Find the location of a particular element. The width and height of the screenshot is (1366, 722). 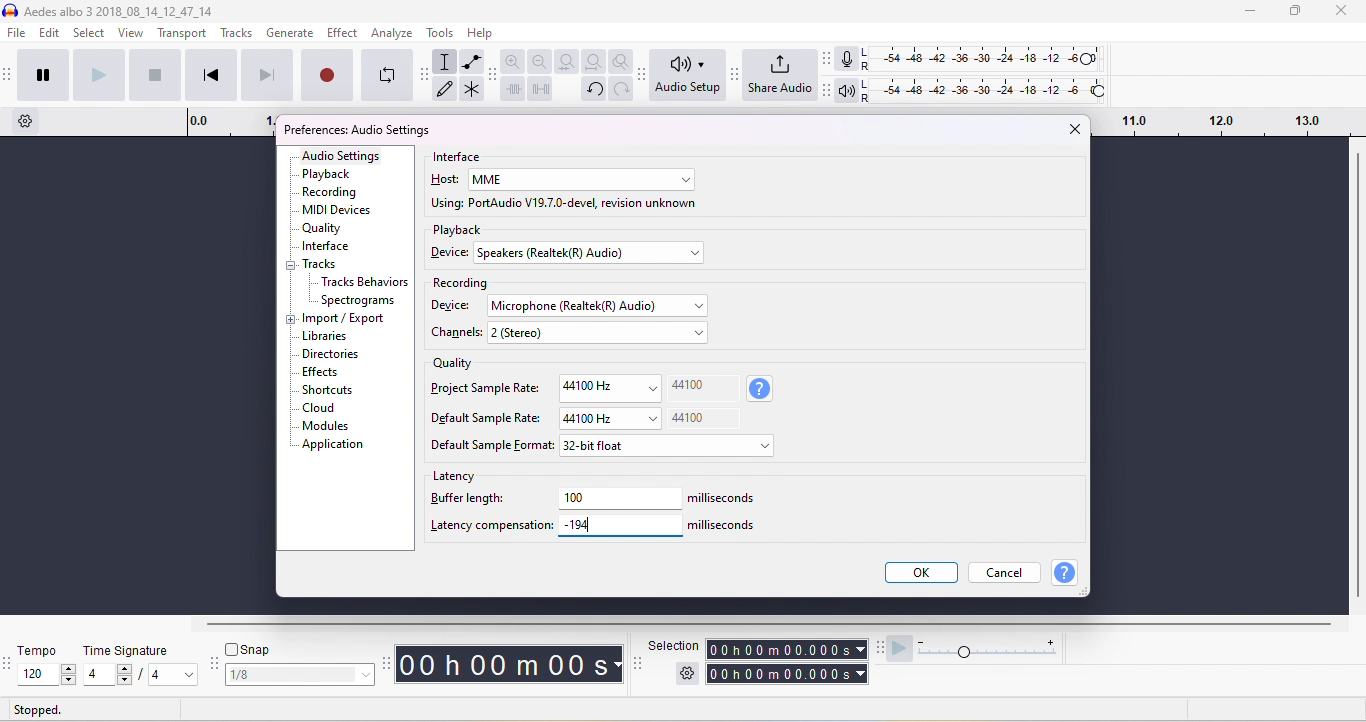

audacity tempo toolbar is located at coordinates (9, 665).